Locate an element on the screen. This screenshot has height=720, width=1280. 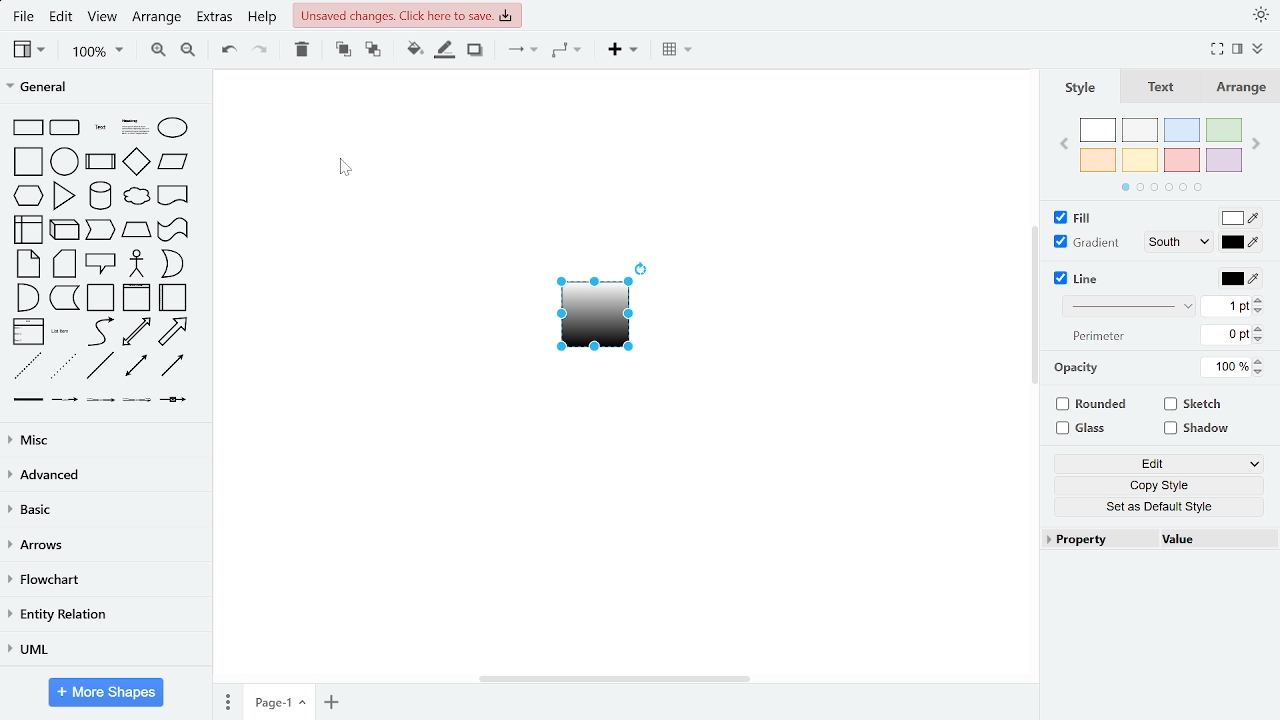
general shapes is located at coordinates (99, 297).